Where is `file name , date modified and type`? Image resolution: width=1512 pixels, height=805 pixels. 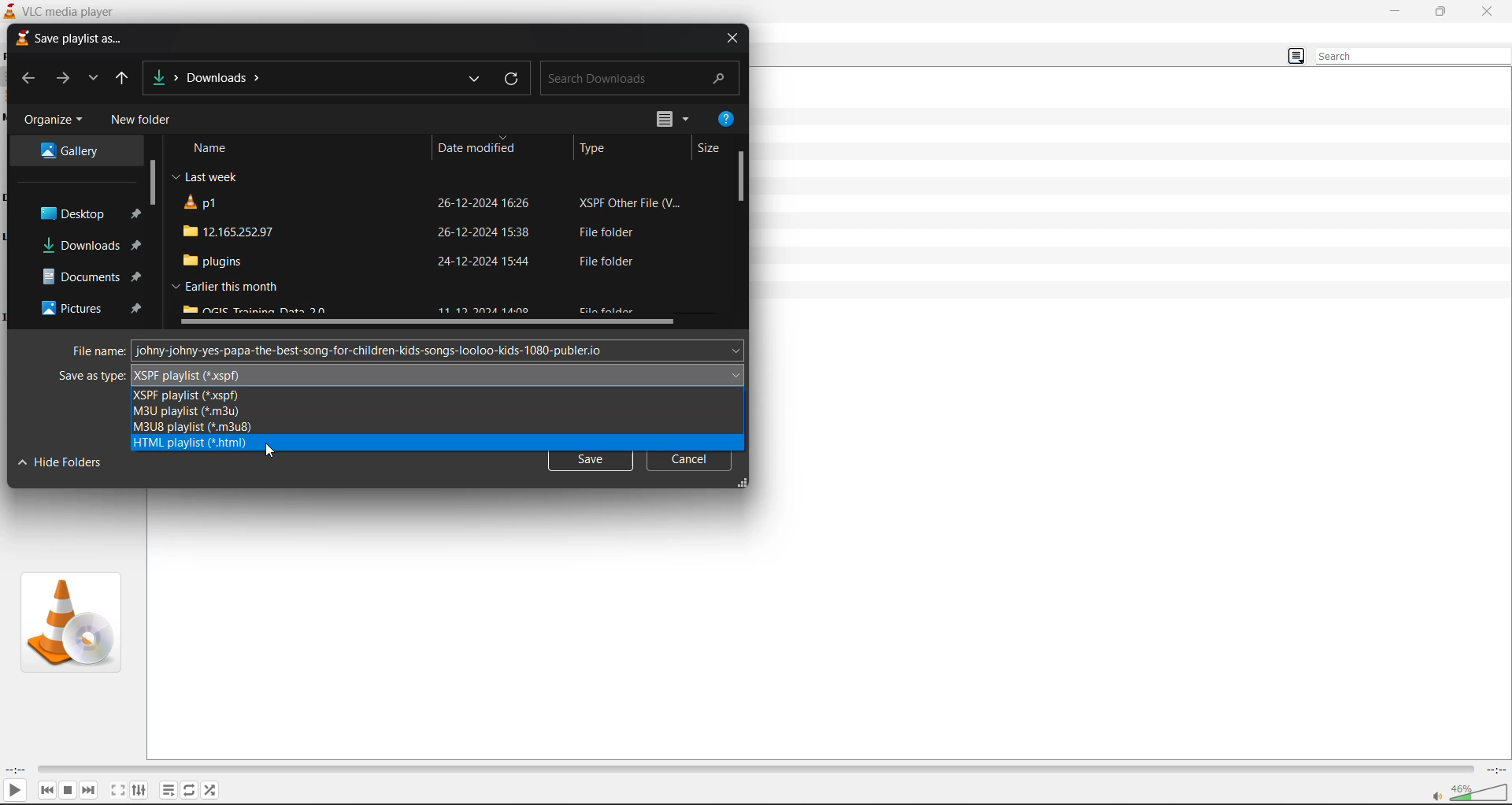 file name , date modified and type is located at coordinates (435, 230).